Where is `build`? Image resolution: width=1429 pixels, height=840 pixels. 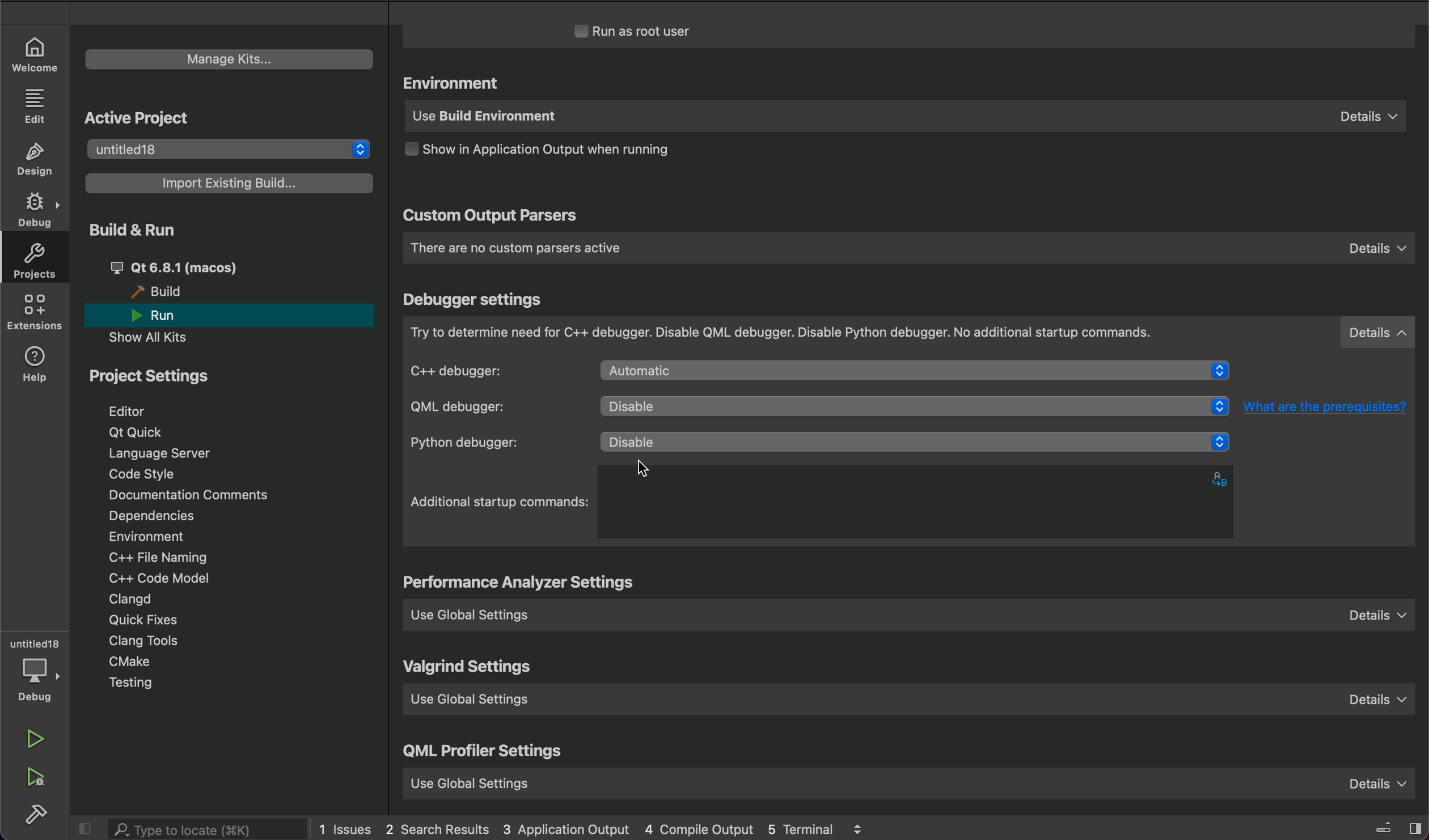 build is located at coordinates (163, 292).